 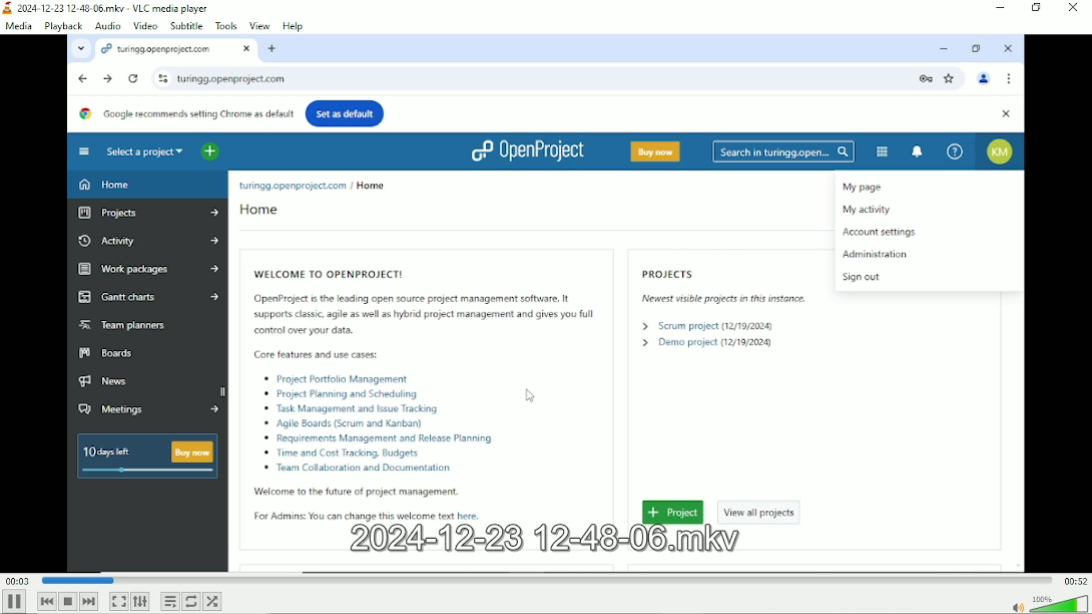 What do you see at coordinates (541, 305) in the screenshot?
I see `Video` at bounding box center [541, 305].